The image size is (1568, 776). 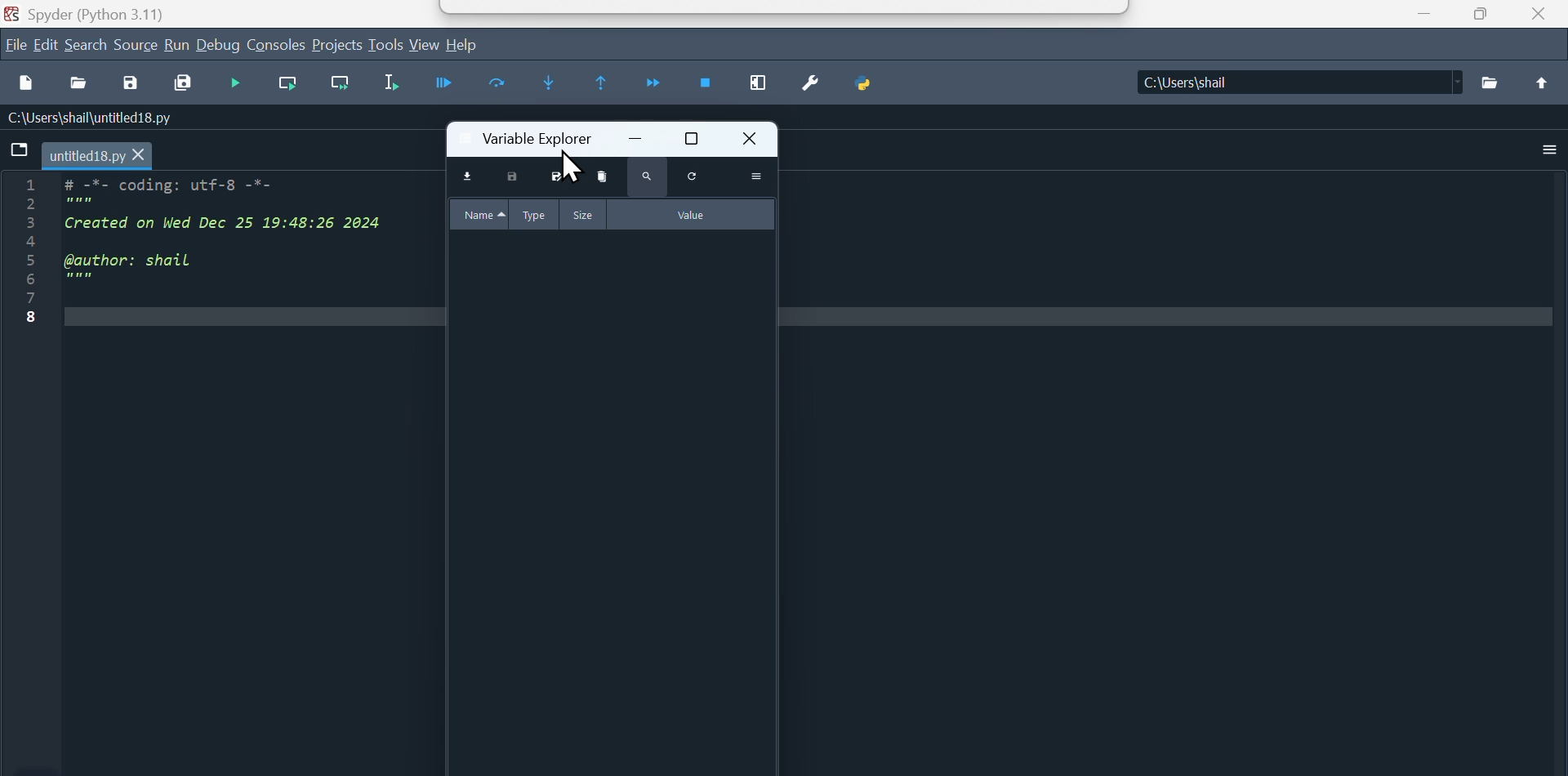 What do you see at coordinates (599, 176) in the screenshot?
I see `delete variables` at bounding box center [599, 176].